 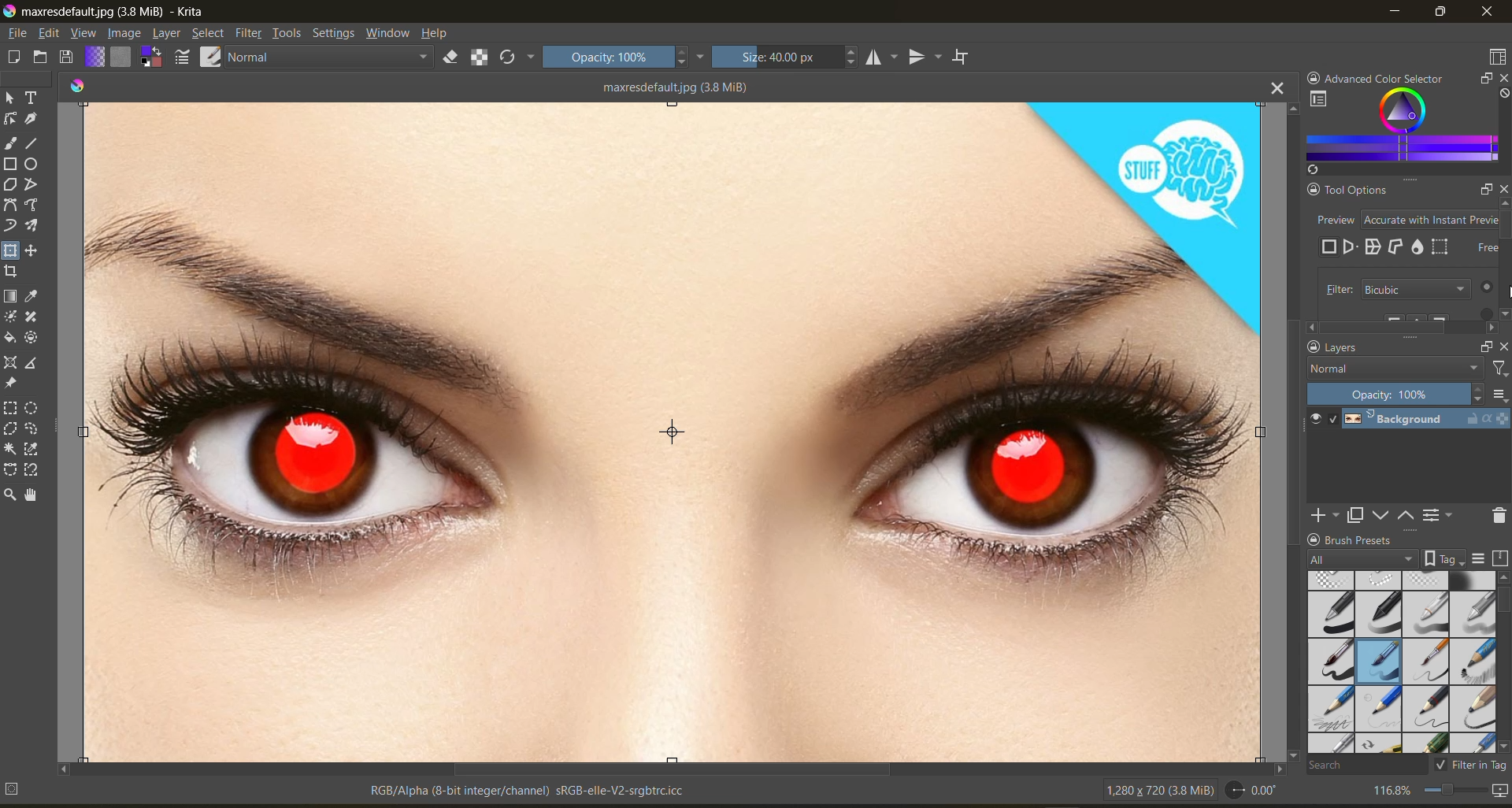 I want to click on set eraser mode, so click(x=458, y=58).